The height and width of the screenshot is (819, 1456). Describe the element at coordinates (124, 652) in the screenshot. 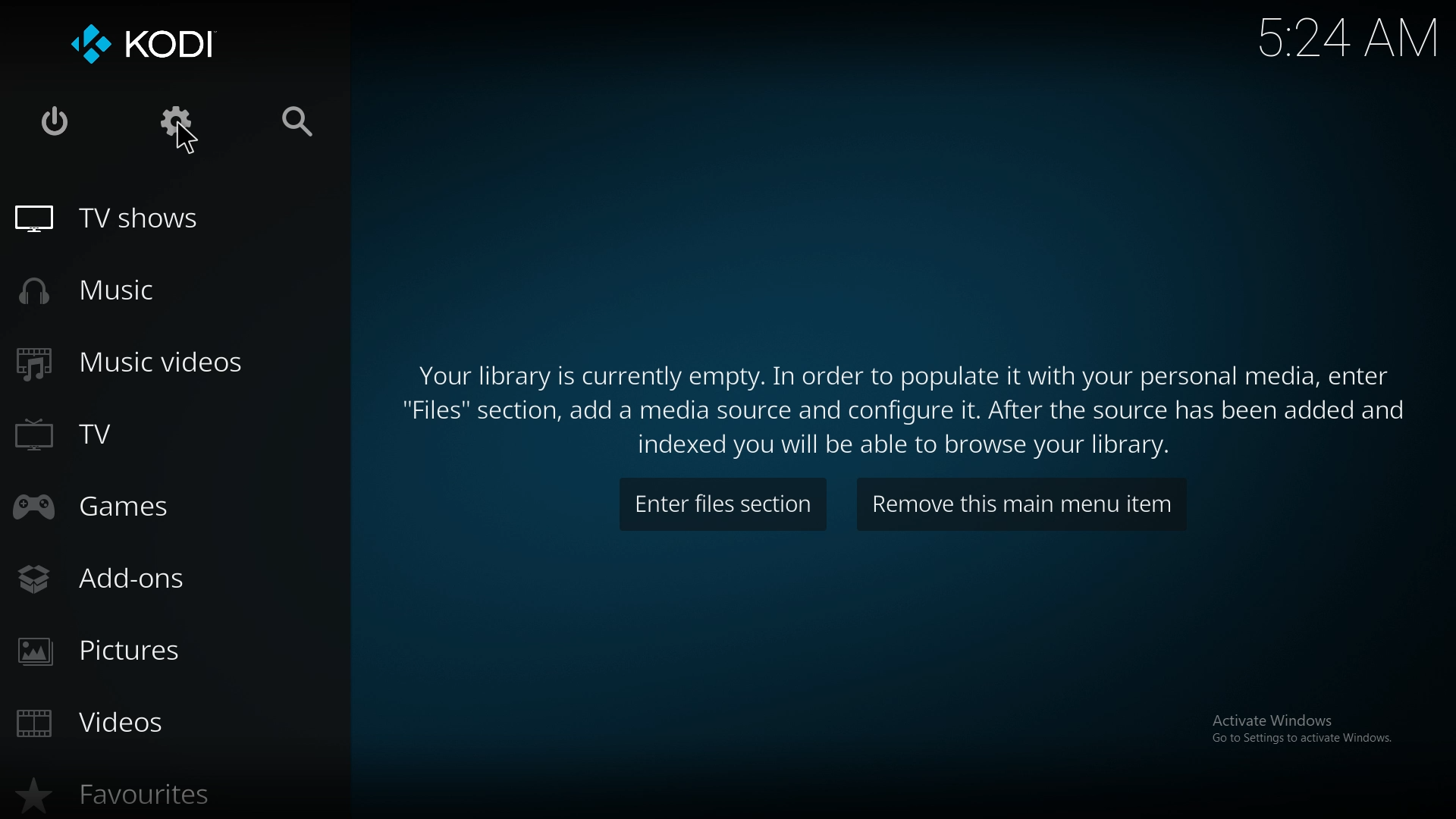

I see `pictures` at that location.